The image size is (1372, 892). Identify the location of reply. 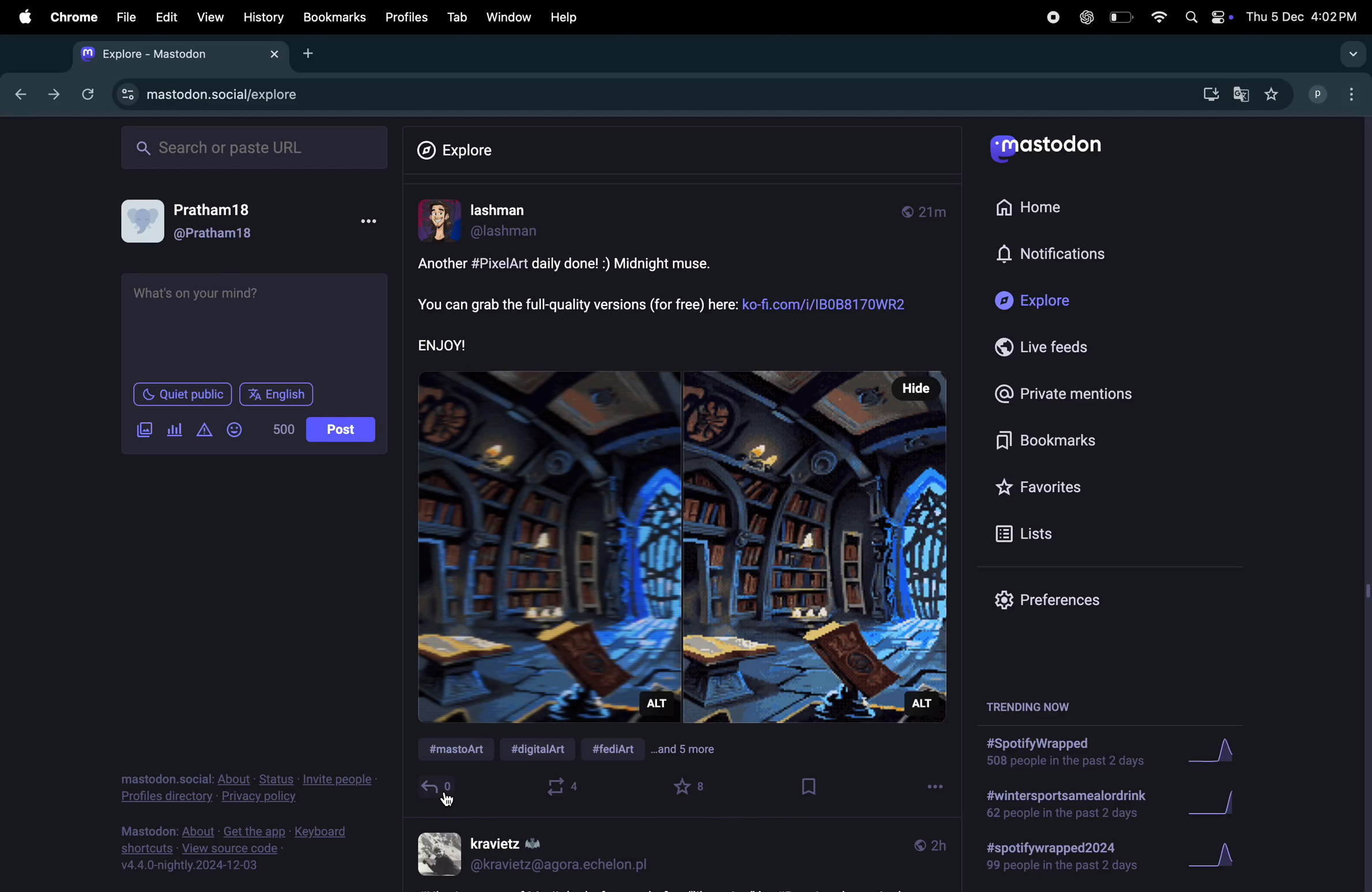
(439, 789).